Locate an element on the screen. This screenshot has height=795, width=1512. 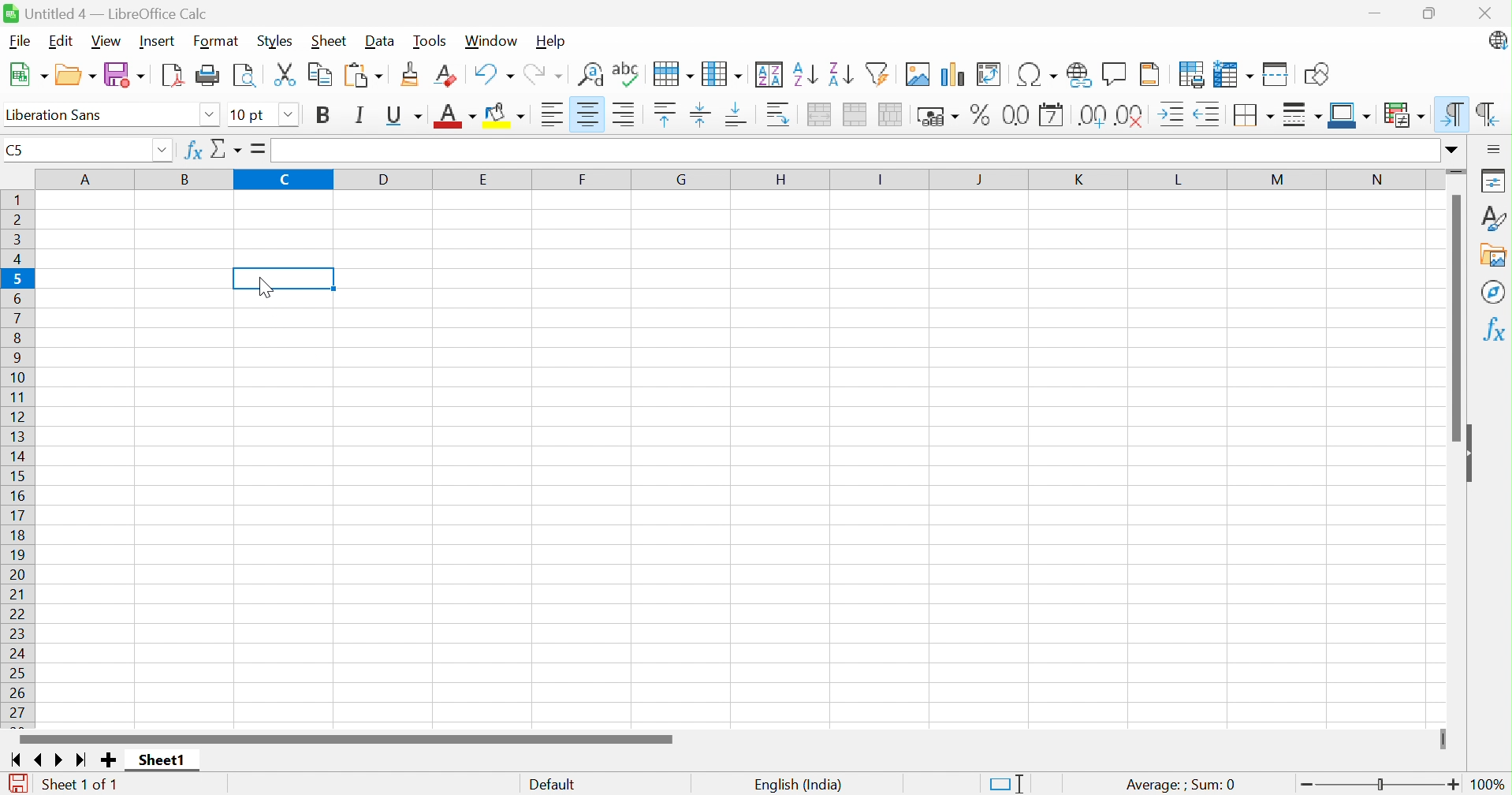
Align Bottom is located at coordinates (739, 117).